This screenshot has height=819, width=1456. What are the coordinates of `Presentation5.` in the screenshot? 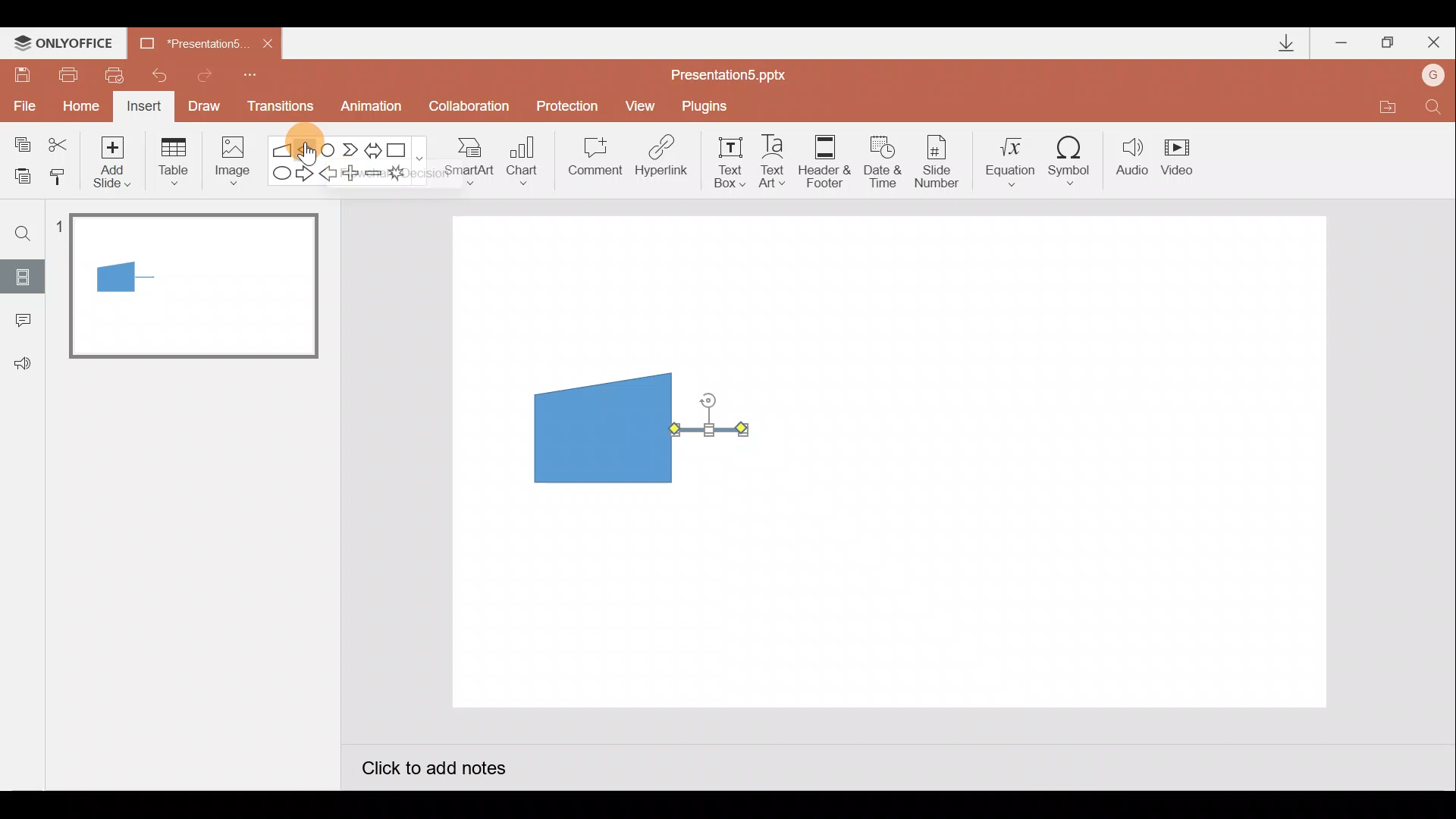 It's located at (187, 41).